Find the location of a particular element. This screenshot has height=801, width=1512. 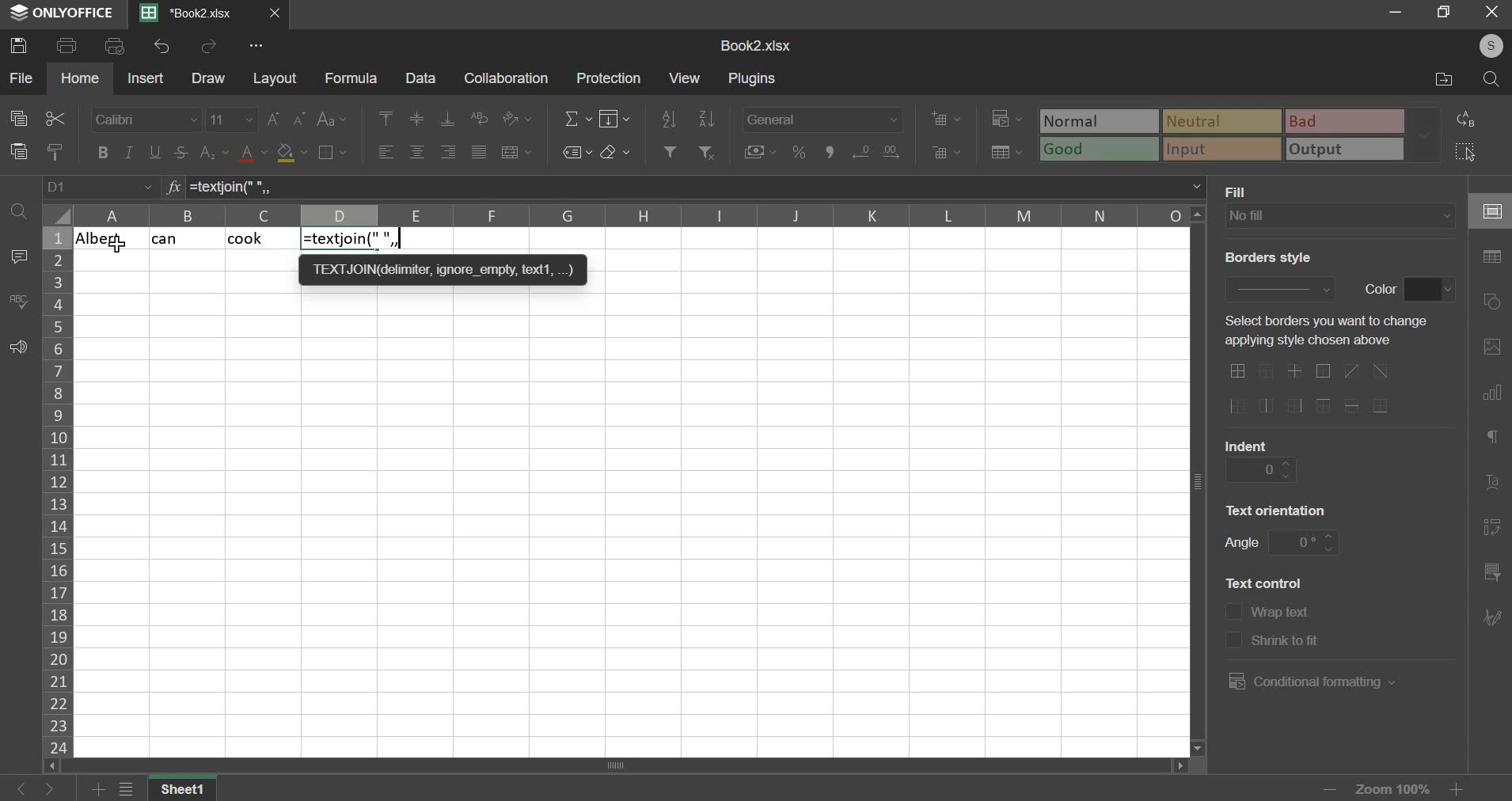

formula is located at coordinates (351, 237).